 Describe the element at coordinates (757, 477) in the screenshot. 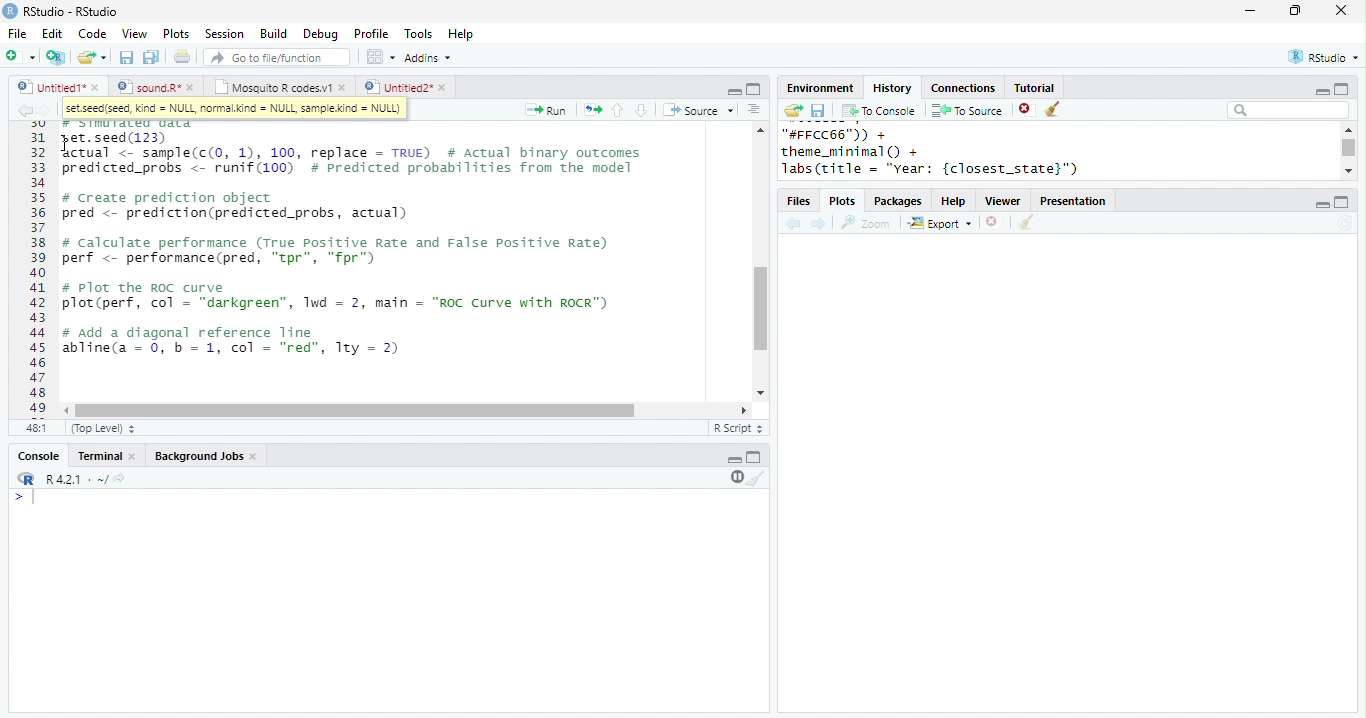

I see `clear` at that location.